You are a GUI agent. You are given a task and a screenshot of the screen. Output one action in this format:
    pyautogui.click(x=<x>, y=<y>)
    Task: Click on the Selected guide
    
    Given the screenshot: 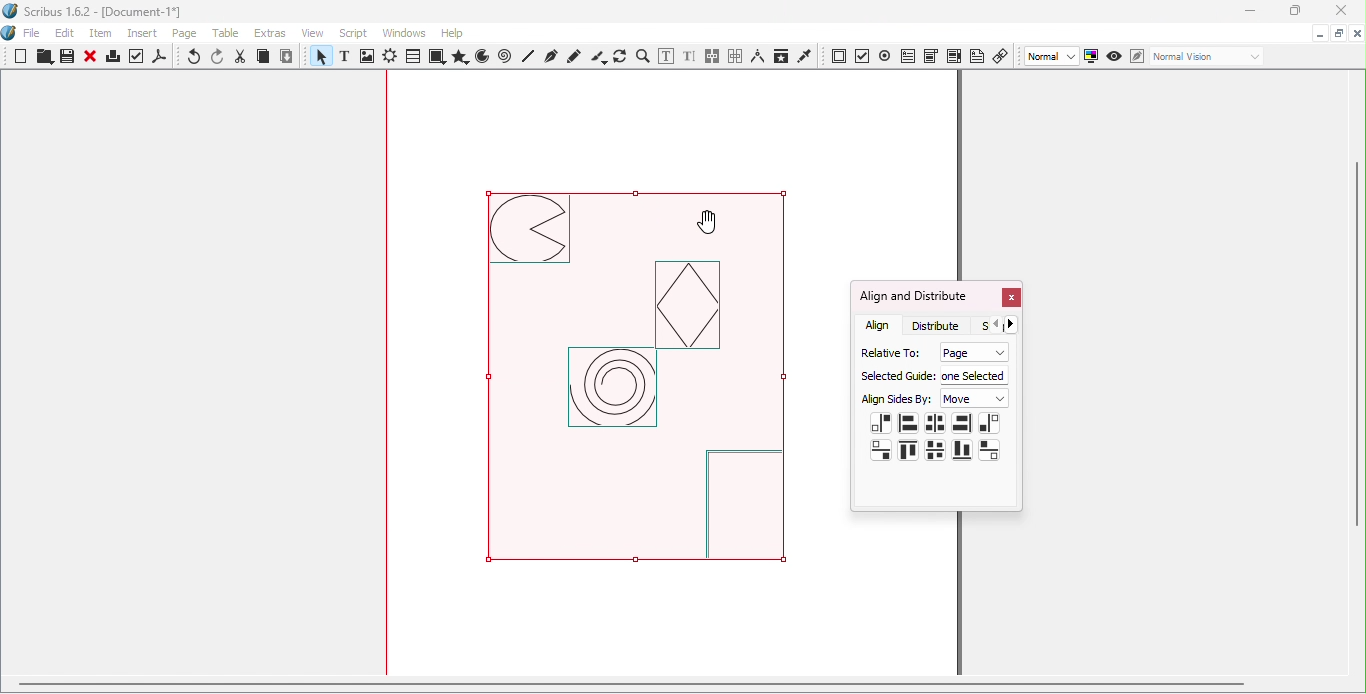 What is the action you would take?
    pyautogui.click(x=896, y=376)
    